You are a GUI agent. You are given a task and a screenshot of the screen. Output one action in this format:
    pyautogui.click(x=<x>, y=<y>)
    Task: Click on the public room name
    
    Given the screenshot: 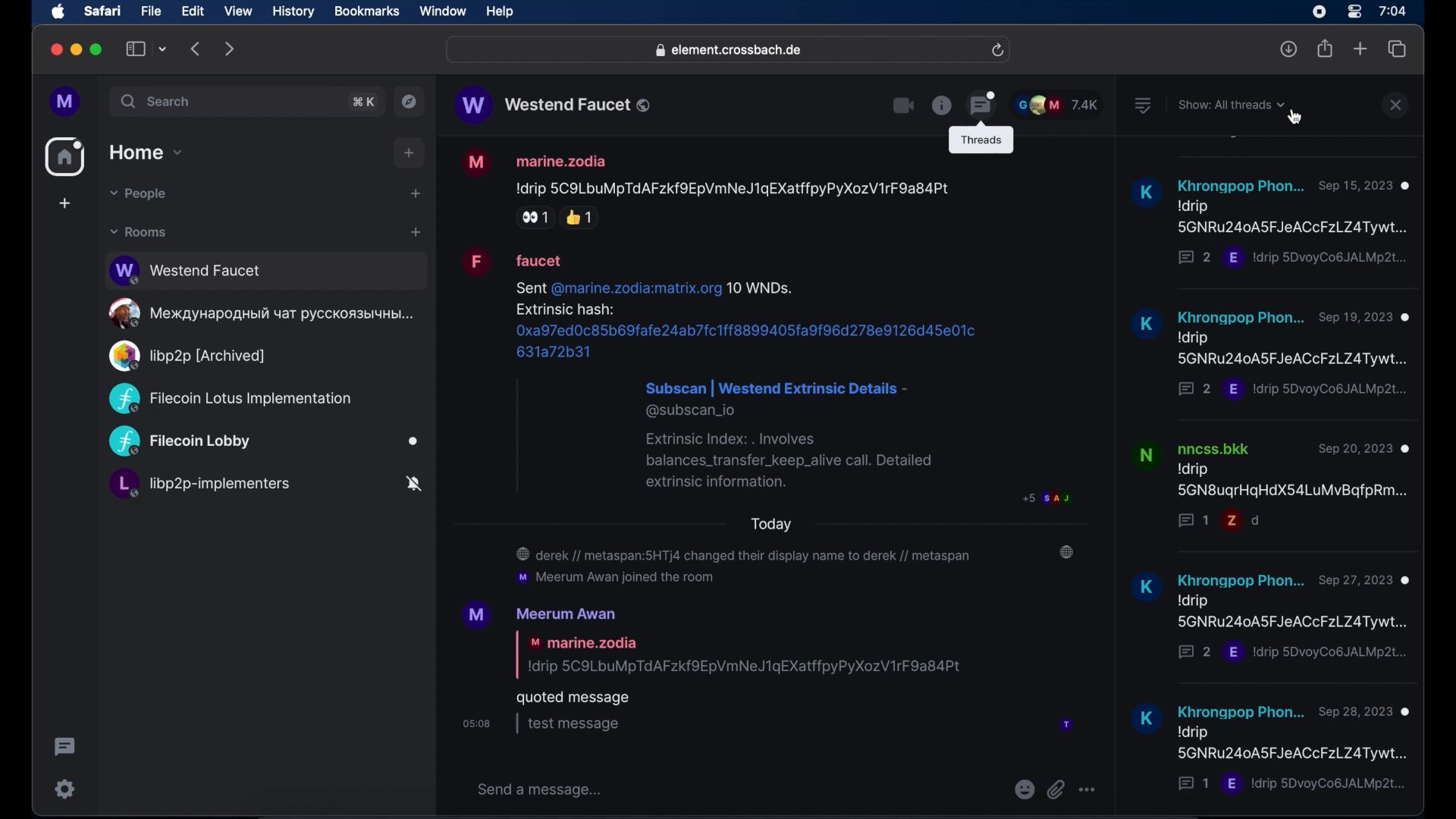 What is the action you would take?
    pyautogui.click(x=555, y=105)
    